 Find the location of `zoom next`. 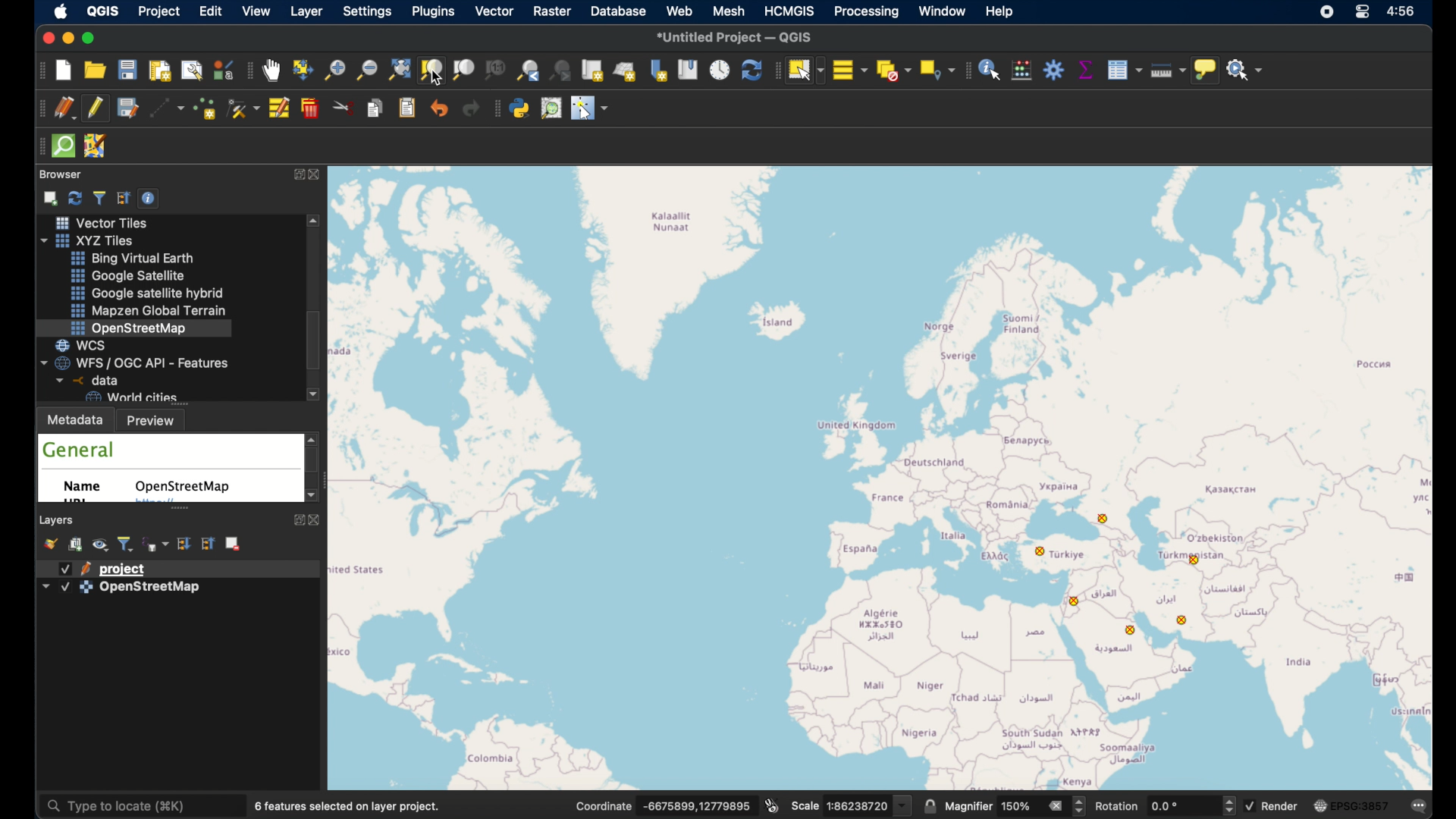

zoom next is located at coordinates (562, 71).